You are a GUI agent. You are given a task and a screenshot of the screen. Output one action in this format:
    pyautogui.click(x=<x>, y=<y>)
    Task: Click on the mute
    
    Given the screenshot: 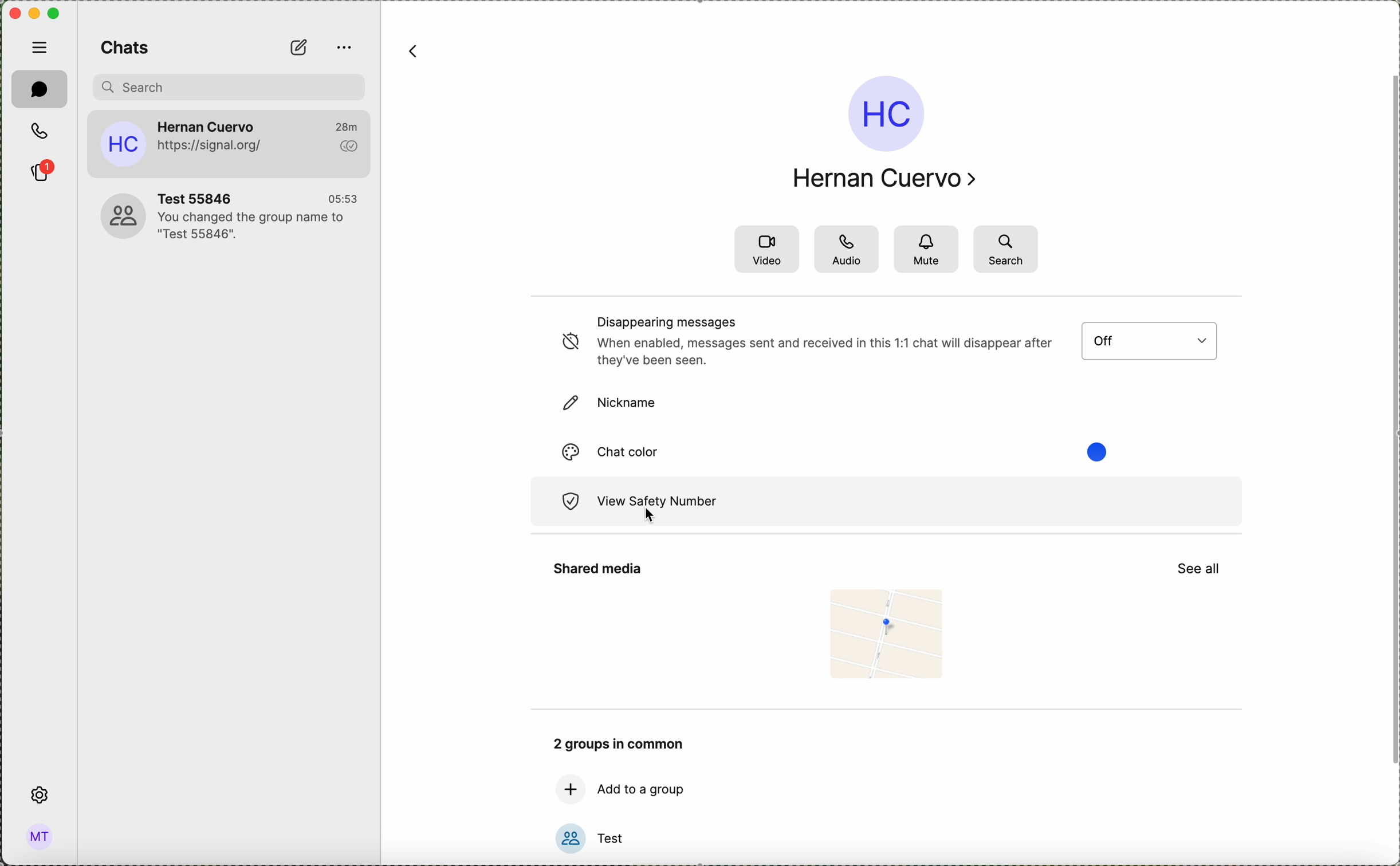 What is the action you would take?
    pyautogui.click(x=929, y=249)
    